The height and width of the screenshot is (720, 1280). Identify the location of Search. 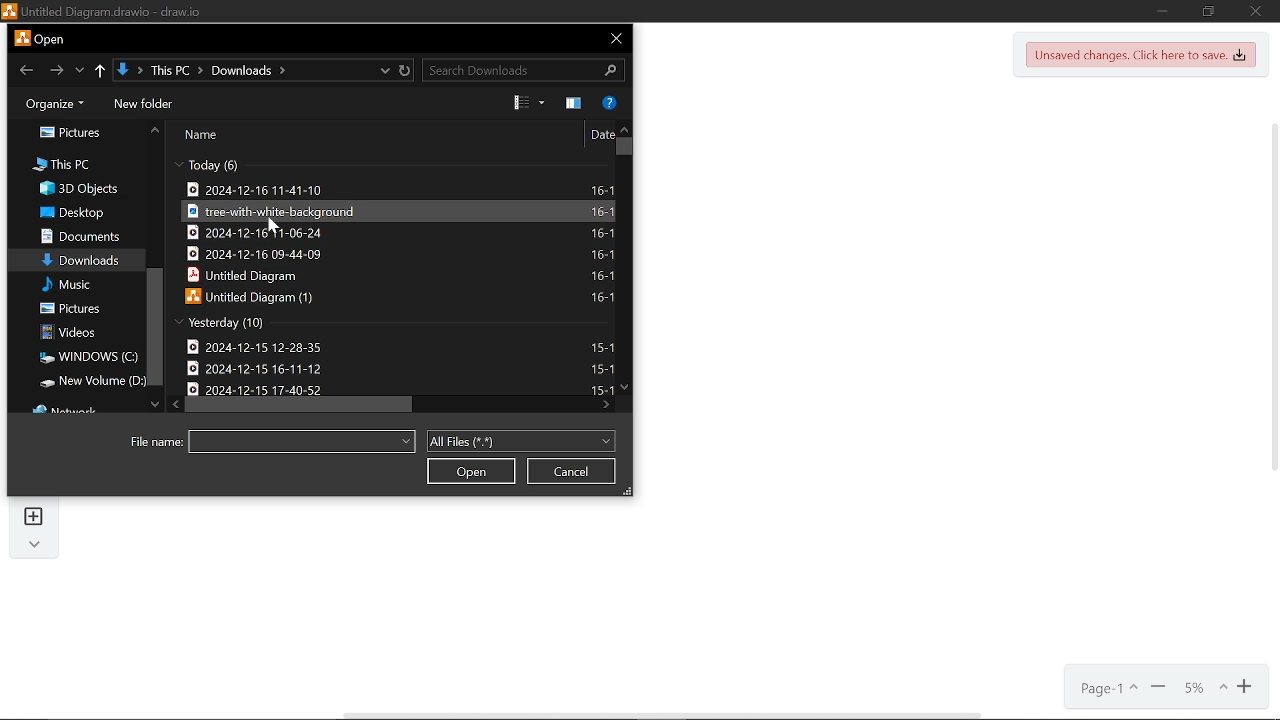
(522, 71).